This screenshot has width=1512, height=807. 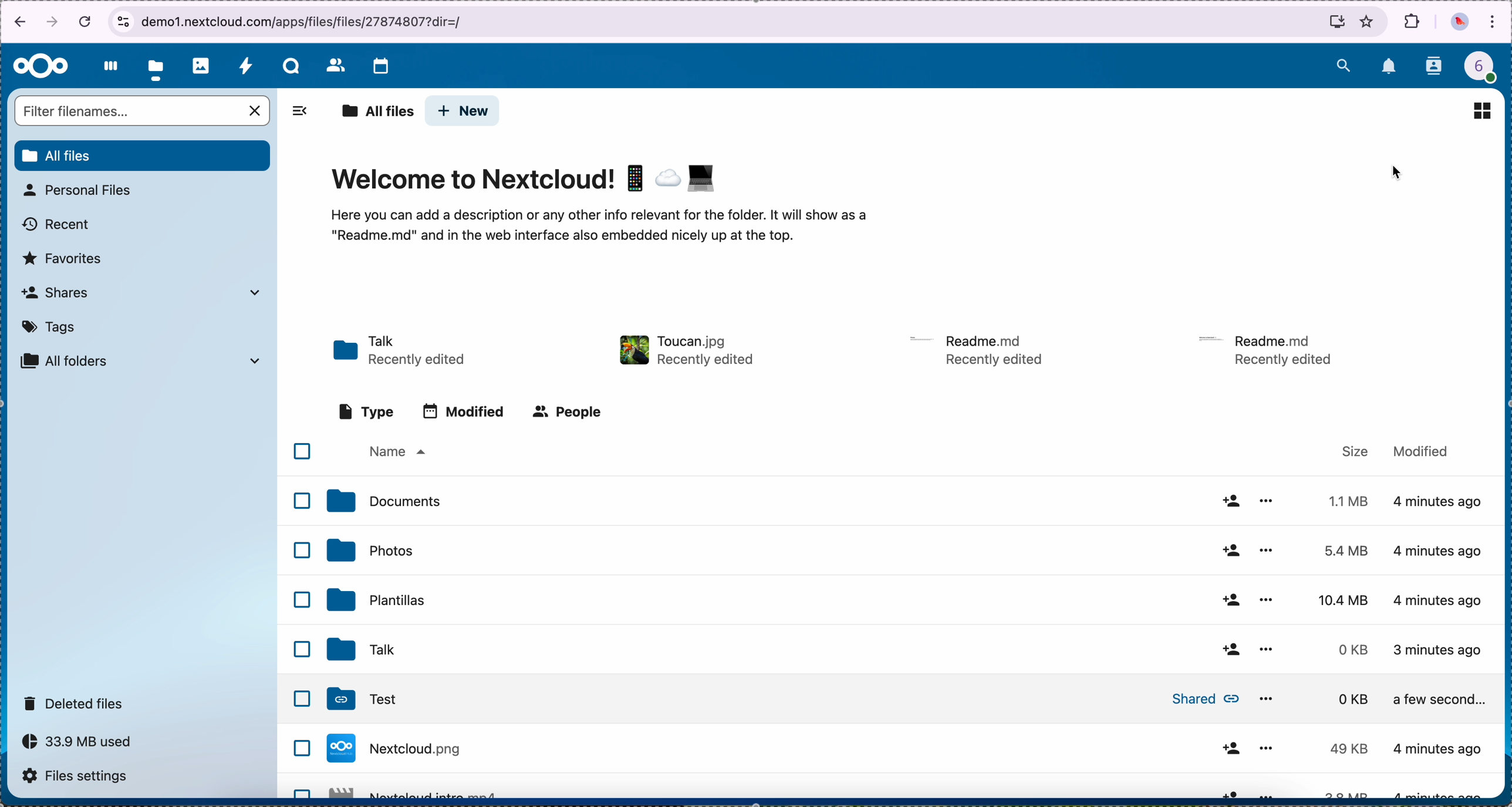 I want to click on readme file, so click(x=1271, y=348).